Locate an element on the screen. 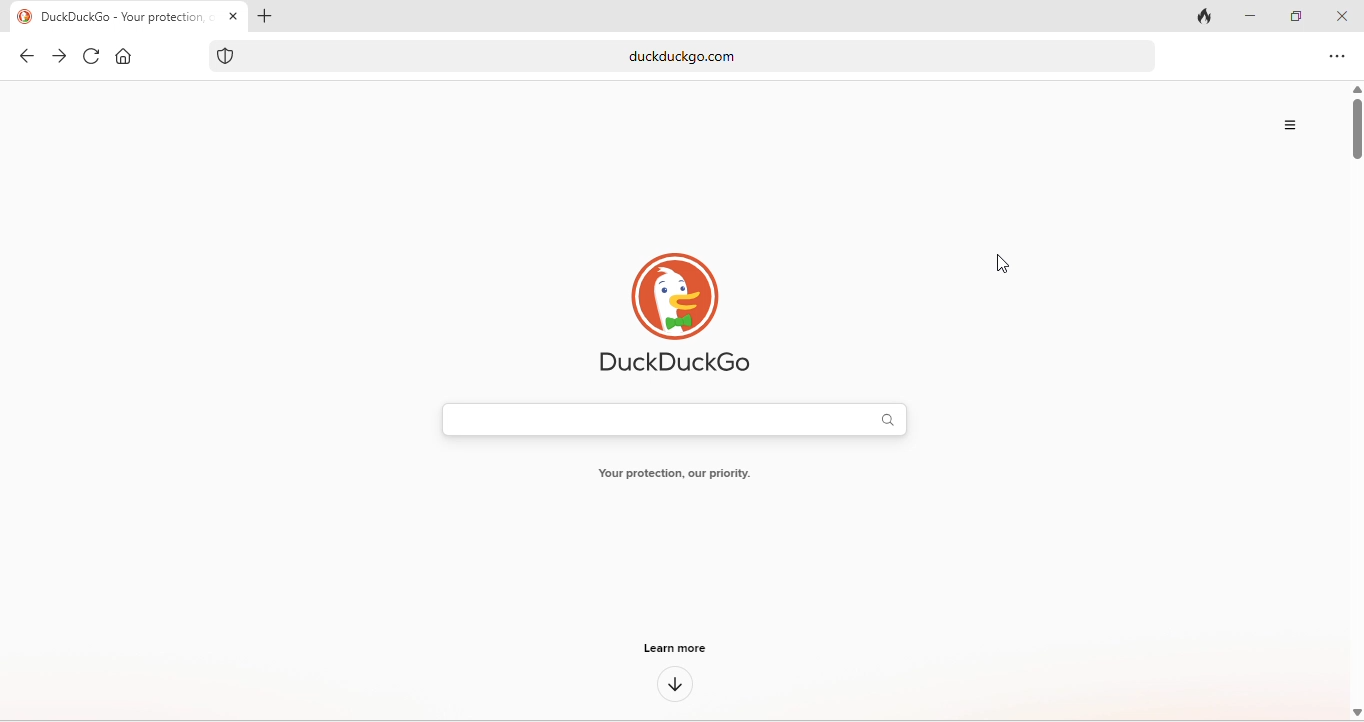  duckduckgo protection is located at coordinates (226, 55).